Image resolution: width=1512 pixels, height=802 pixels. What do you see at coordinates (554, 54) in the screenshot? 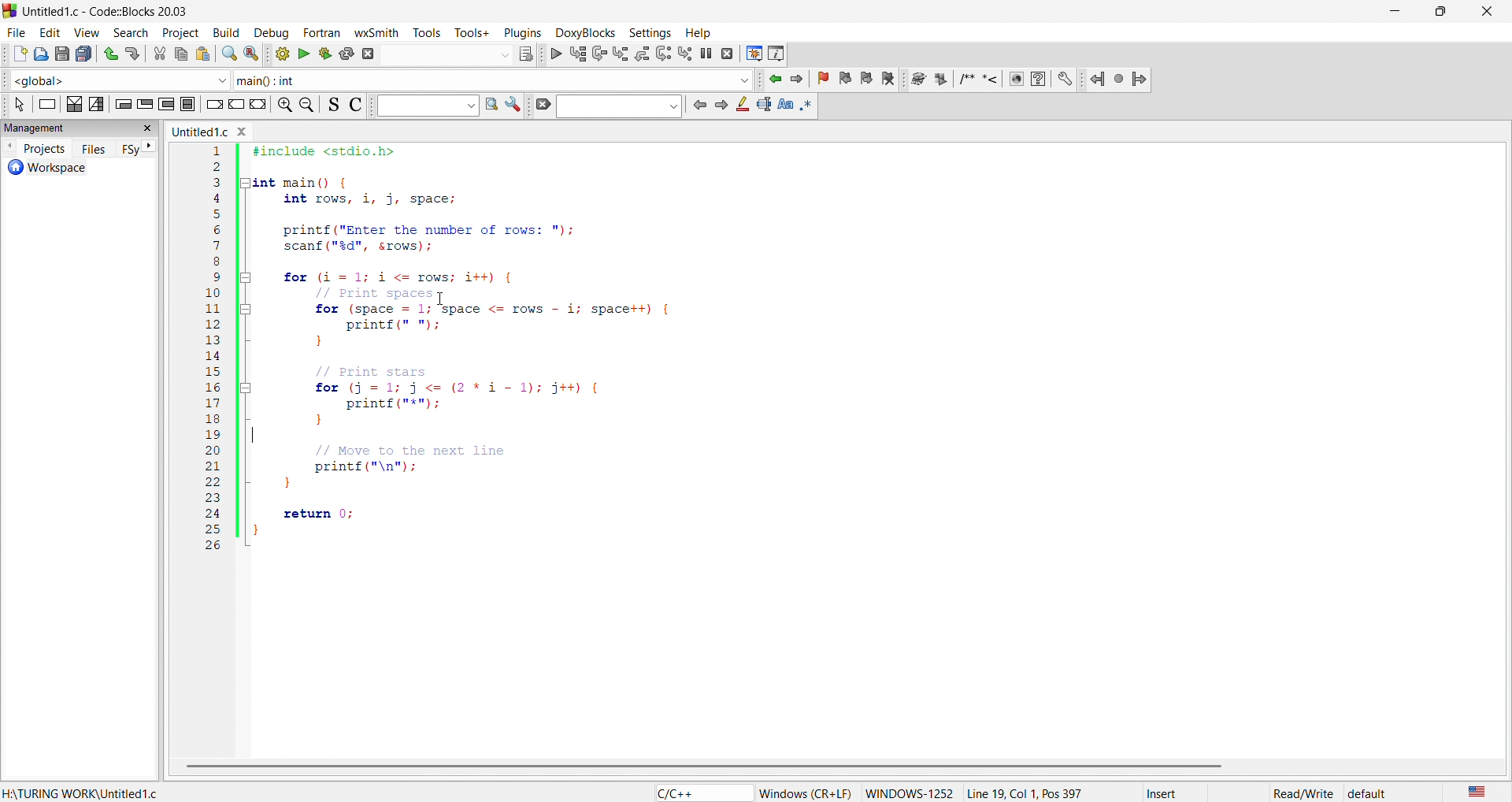
I see `debug/continue` at bounding box center [554, 54].